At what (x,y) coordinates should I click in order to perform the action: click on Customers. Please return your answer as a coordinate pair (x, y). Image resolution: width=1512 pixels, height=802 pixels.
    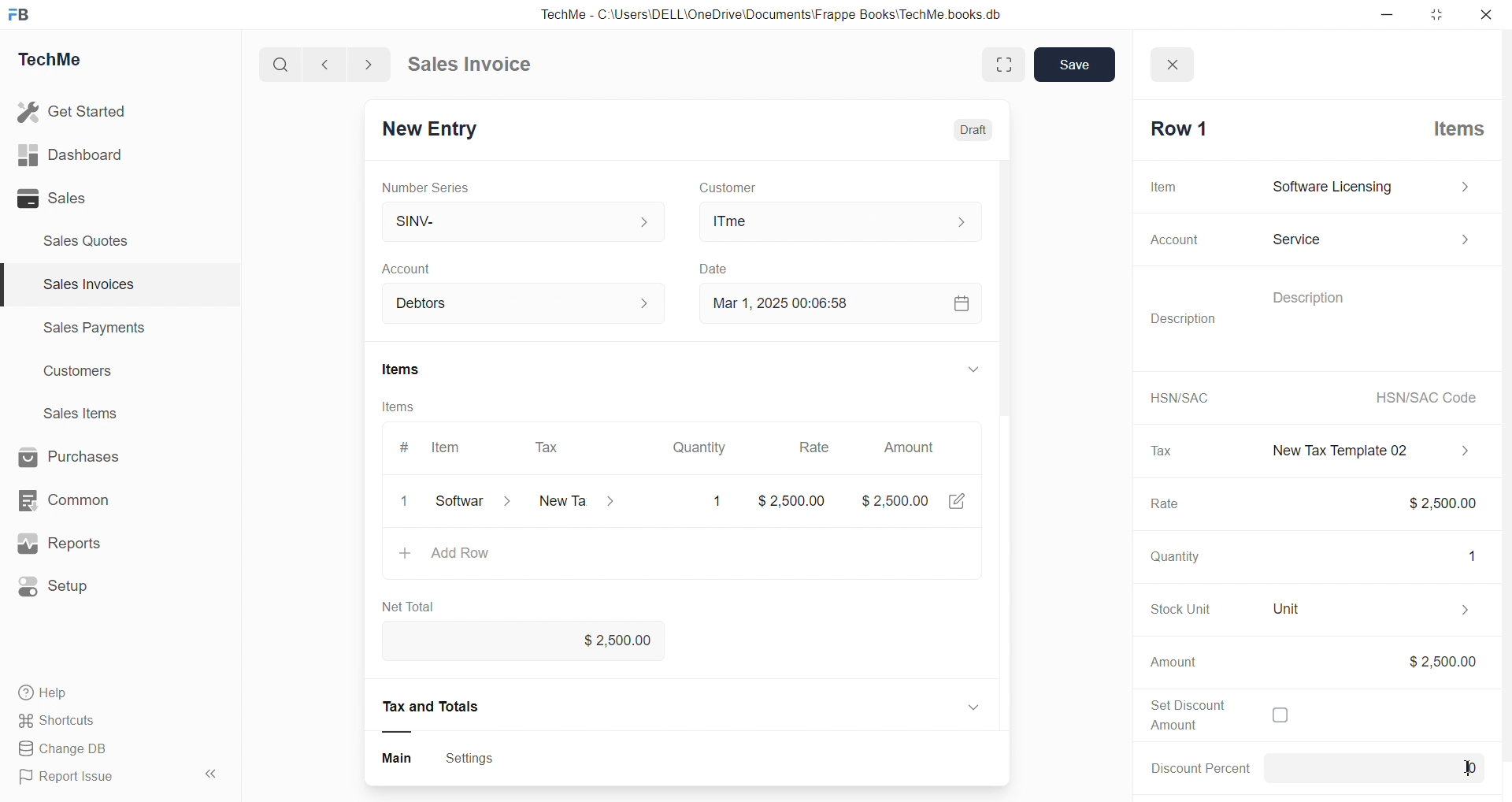
    Looking at the image, I should click on (87, 375).